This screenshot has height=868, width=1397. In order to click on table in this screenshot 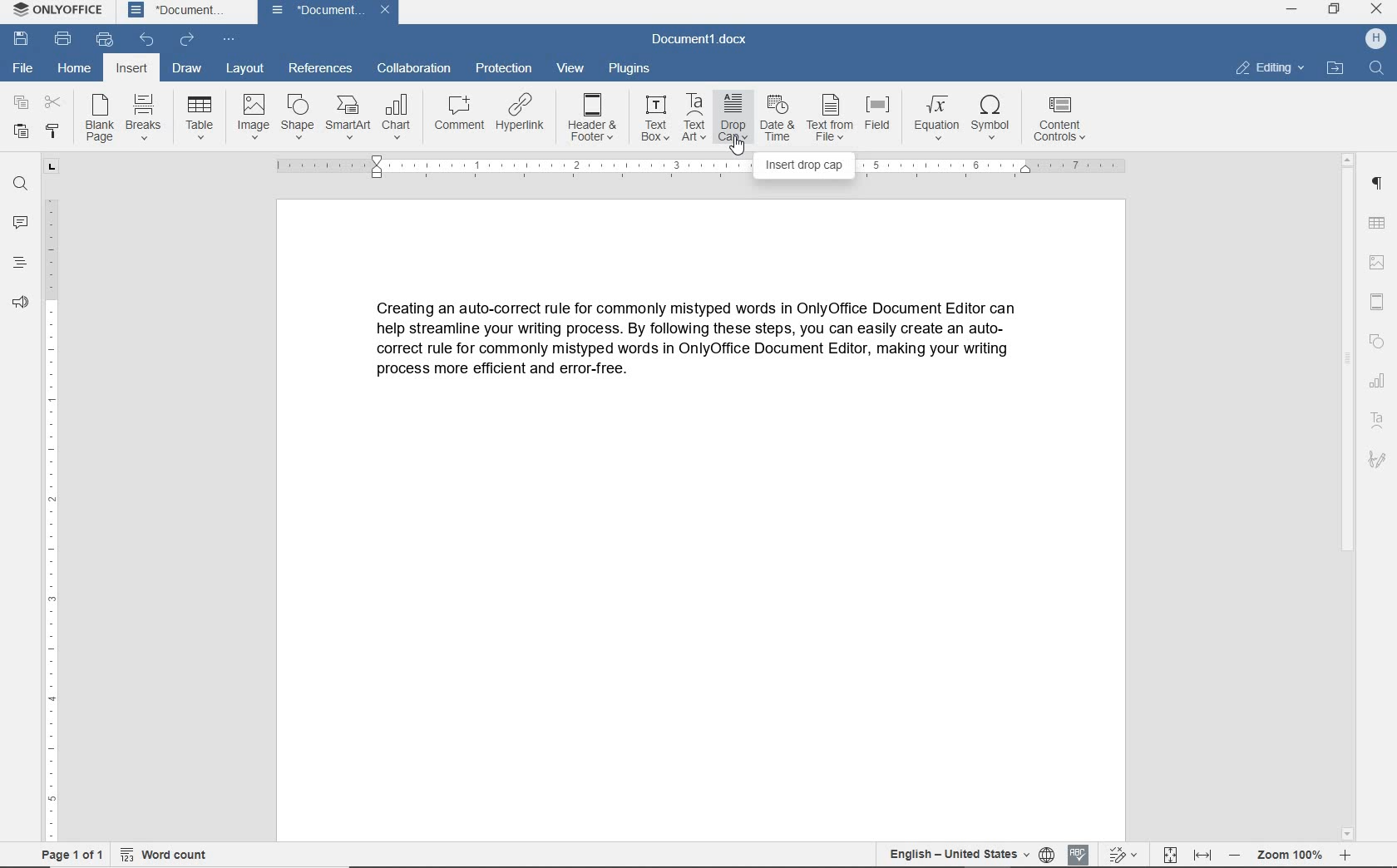, I will do `click(200, 116)`.